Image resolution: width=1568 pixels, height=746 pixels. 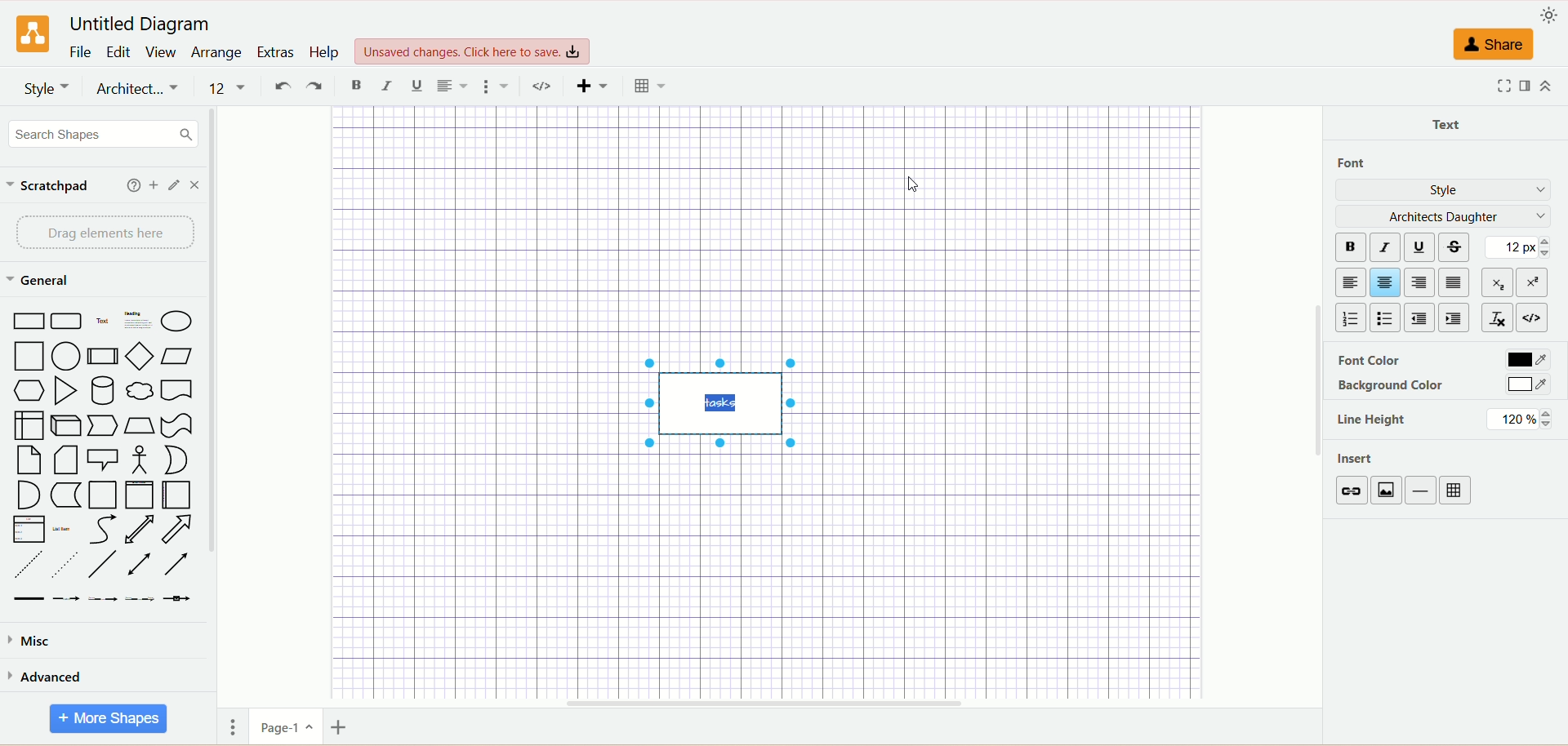 I want to click on Arrow, so click(x=178, y=529).